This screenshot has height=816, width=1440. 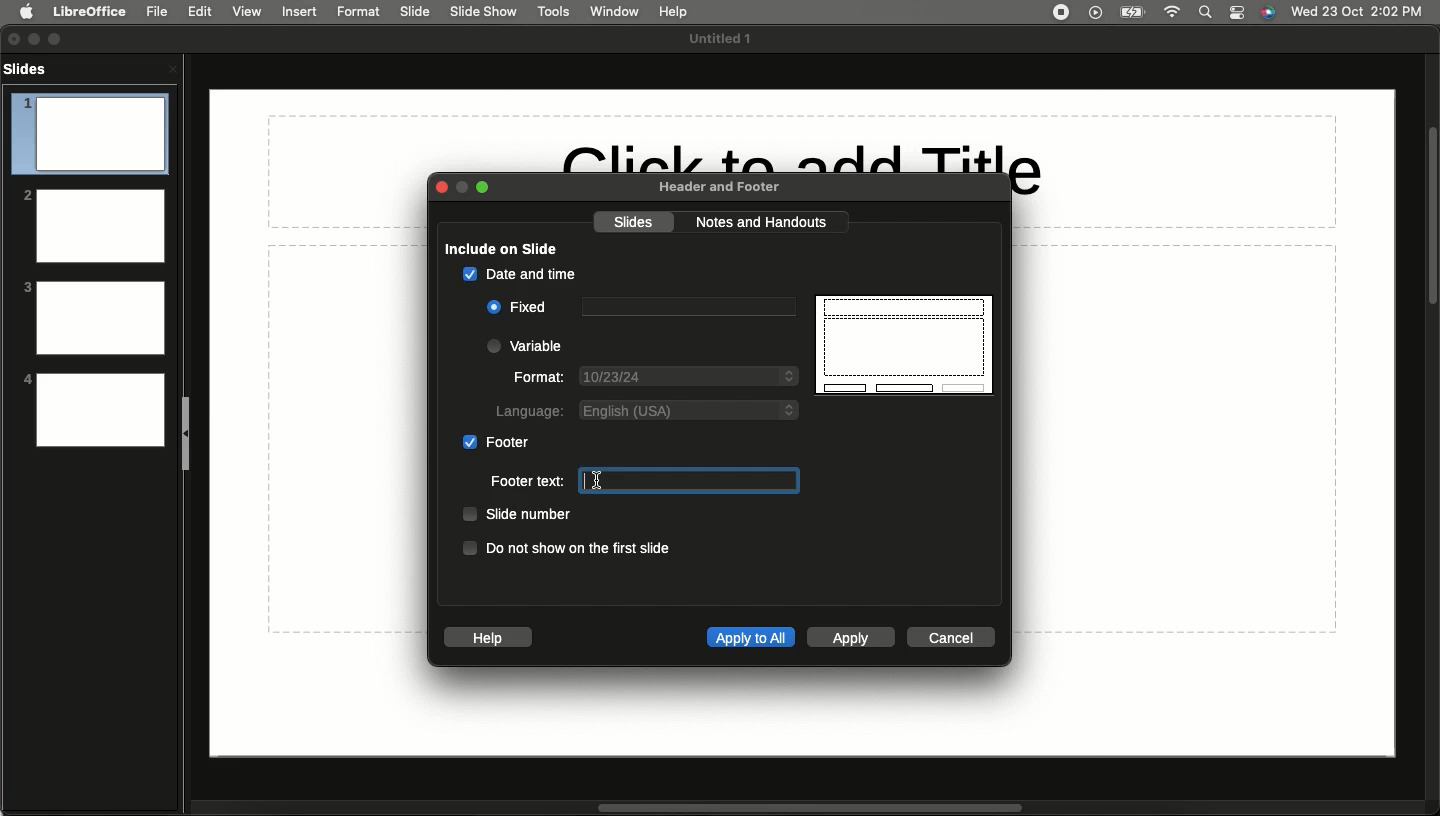 I want to click on Recording, so click(x=1060, y=11).